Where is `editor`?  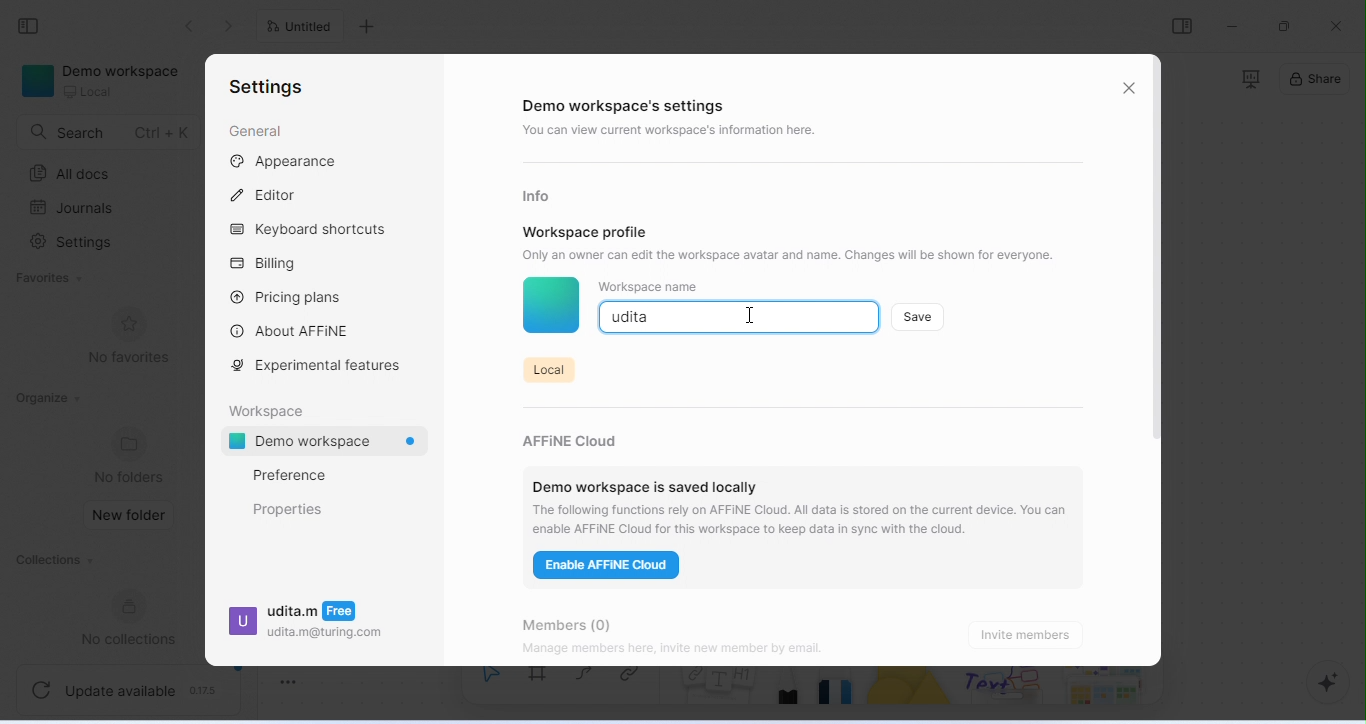 editor is located at coordinates (268, 193).